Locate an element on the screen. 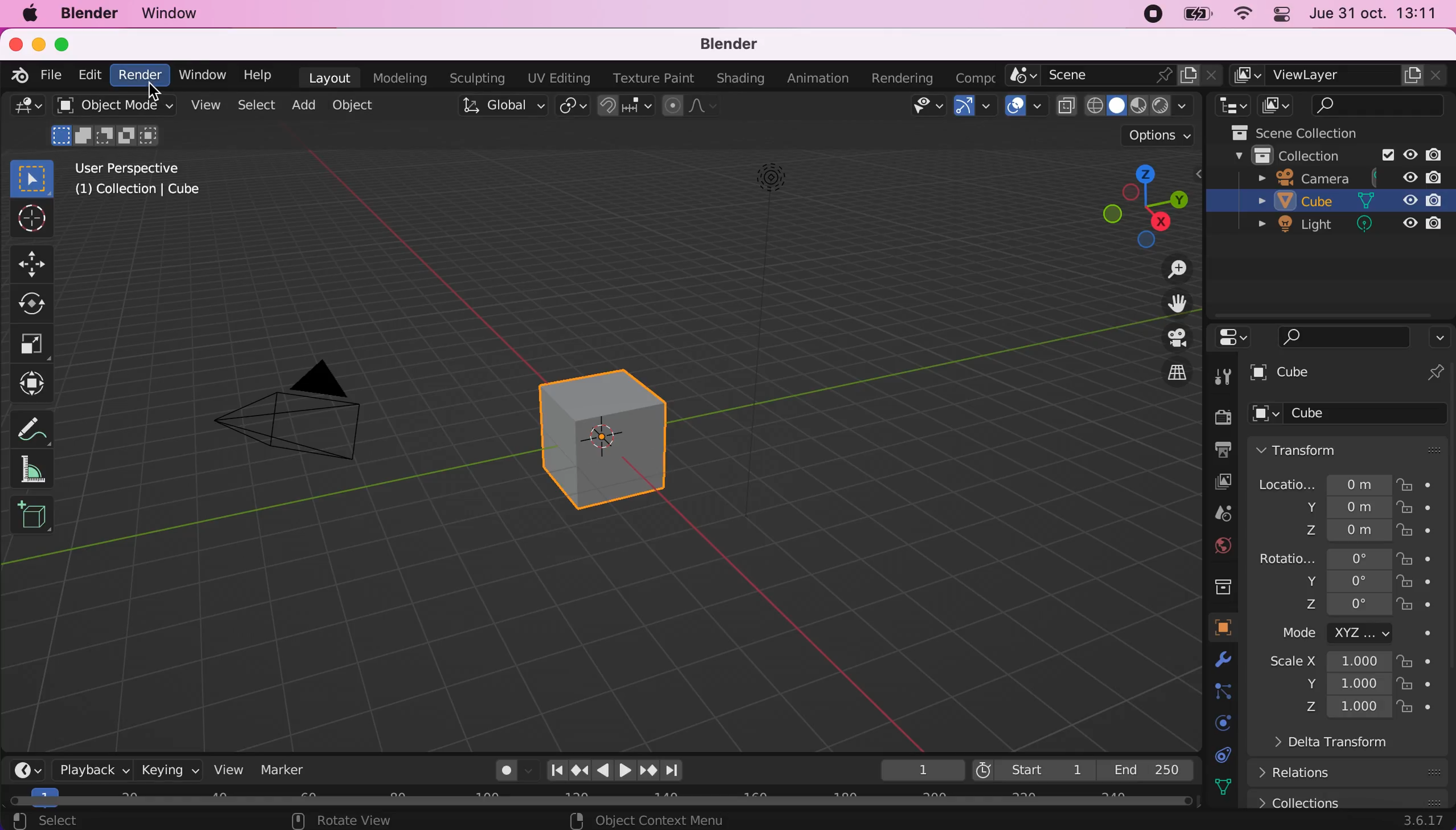 This screenshot has width=1456, height=830. constraints is located at coordinates (1225, 693).